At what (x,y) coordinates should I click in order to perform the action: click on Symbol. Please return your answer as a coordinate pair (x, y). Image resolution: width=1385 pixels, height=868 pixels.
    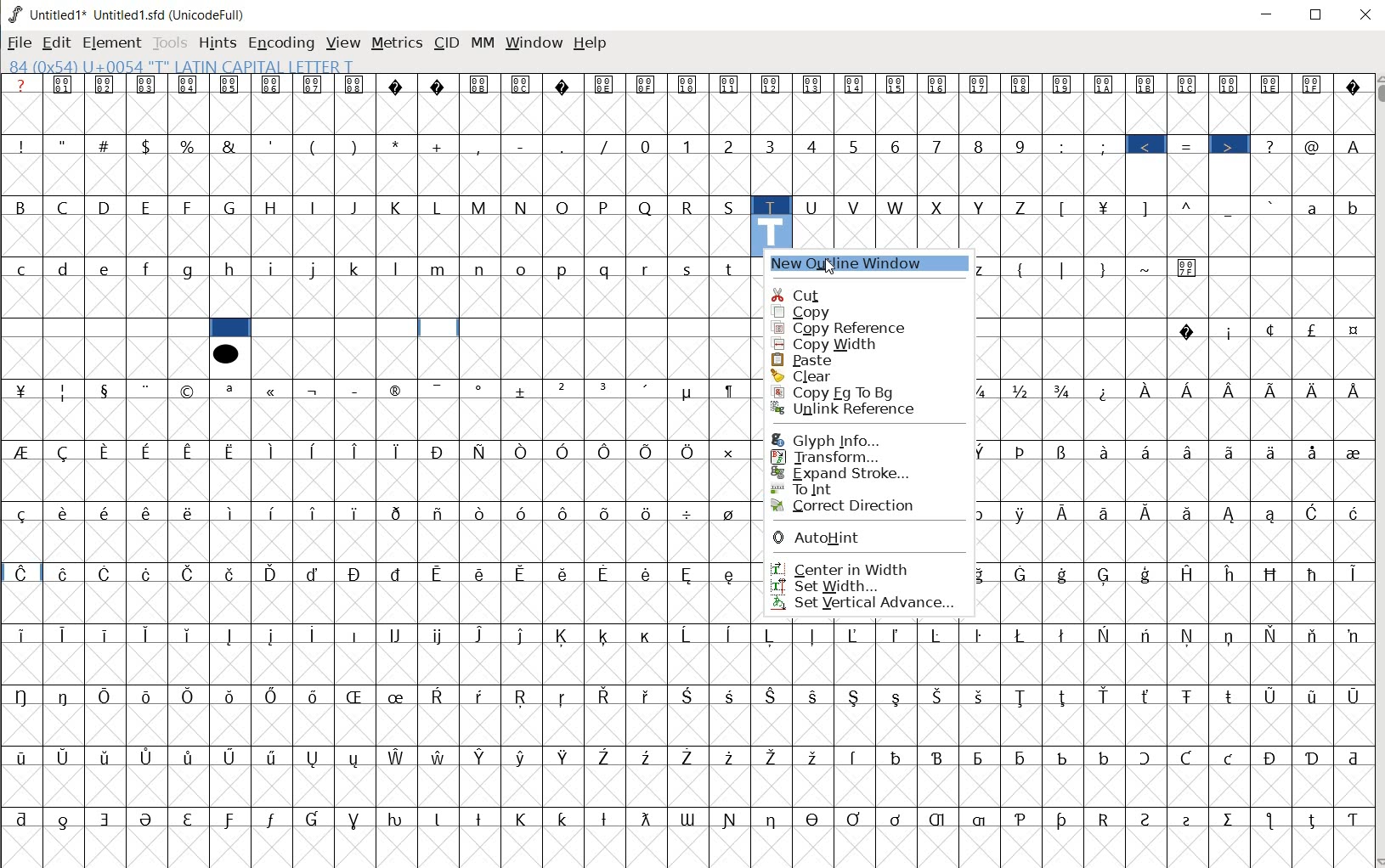
    Looking at the image, I should click on (232, 512).